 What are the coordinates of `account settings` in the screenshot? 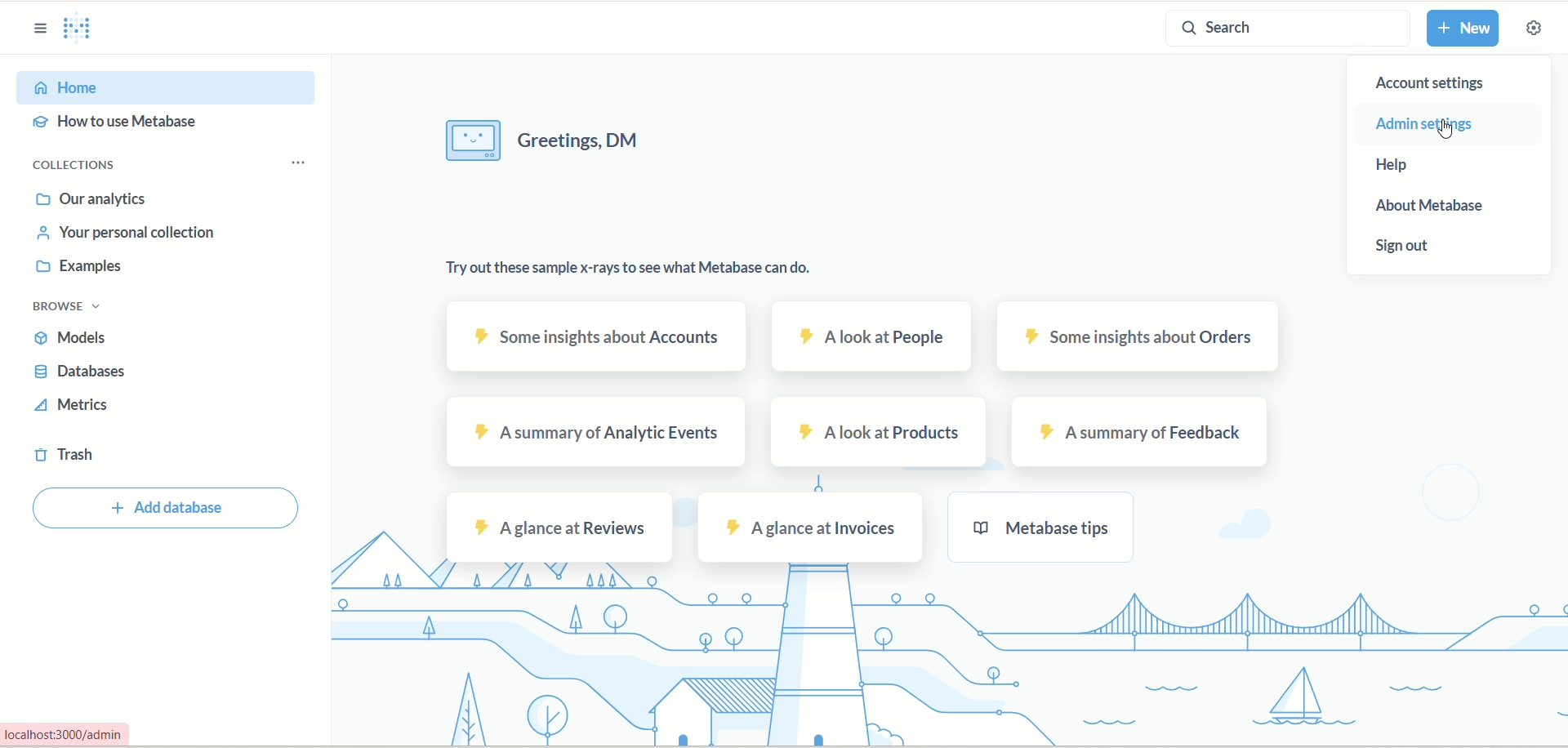 It's located at (1443, 84).